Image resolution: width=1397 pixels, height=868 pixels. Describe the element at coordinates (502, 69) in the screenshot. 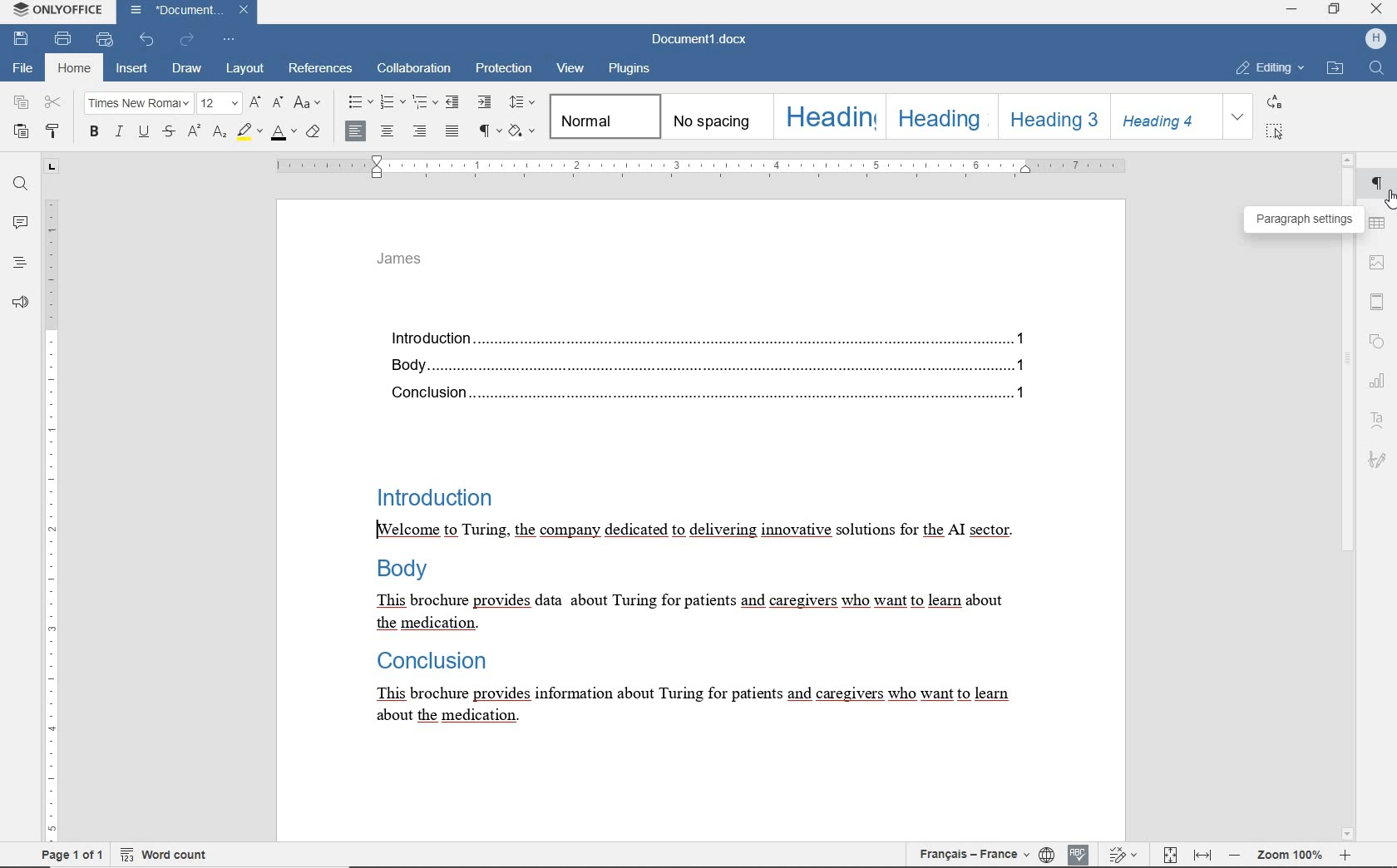

I see `protection` at that location.